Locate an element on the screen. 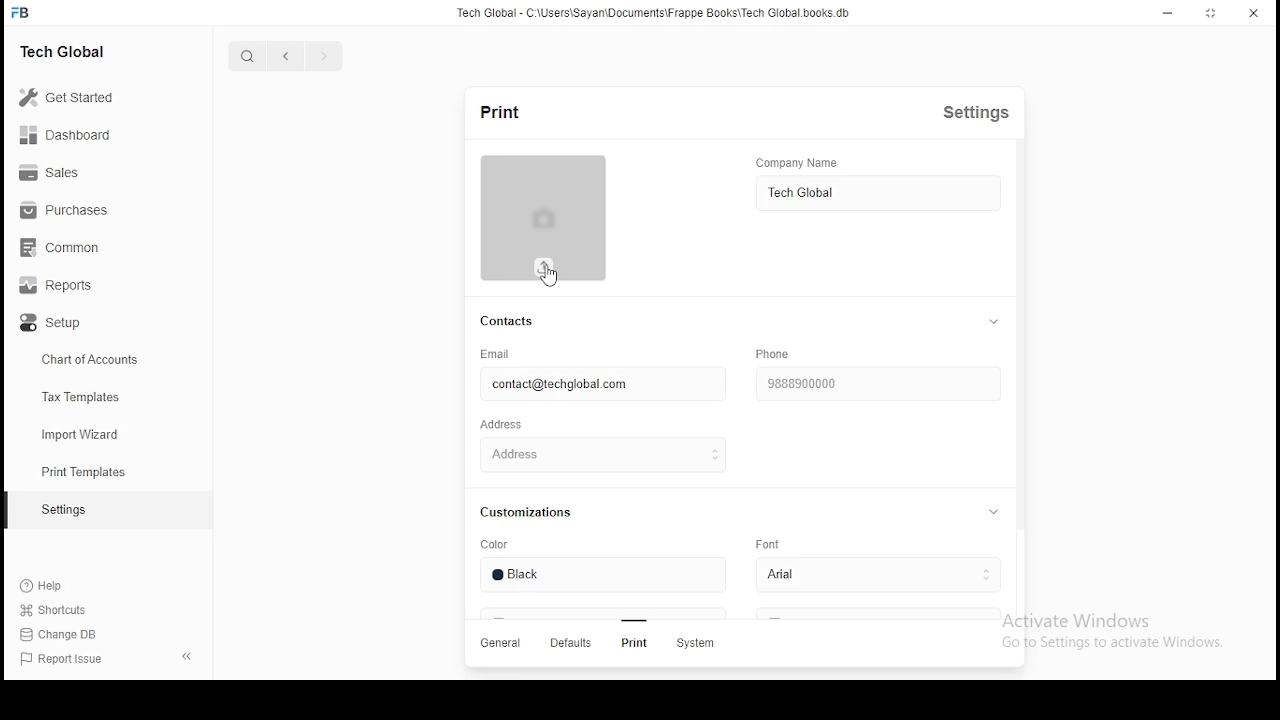  setup  is located at coordinates (83, 327).